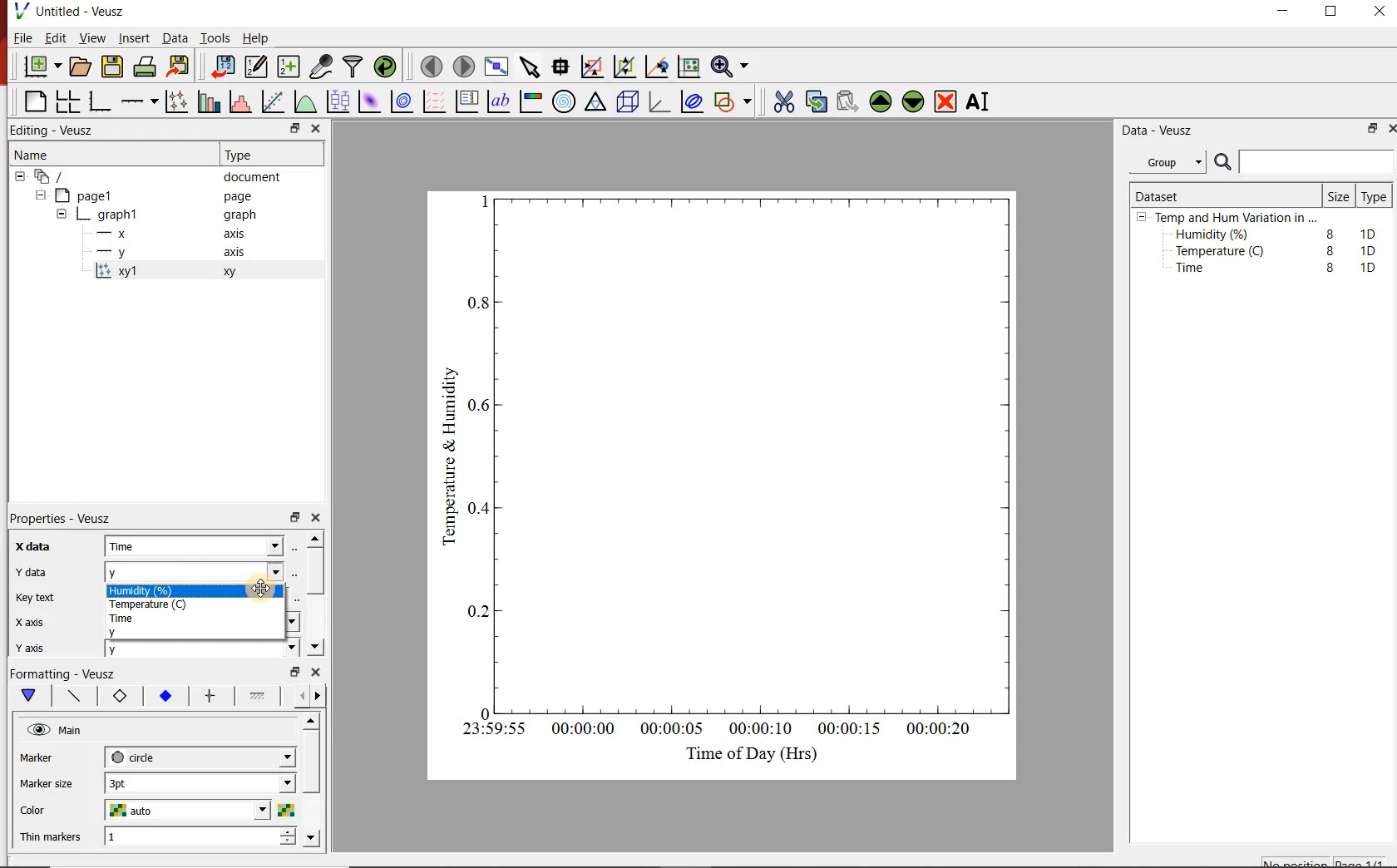 The height and width of the screenshot is (868, 1397). What do you see at coordinates (758, 451) in the screenshot?
I see `Graph` at bounding box center [758, 451].